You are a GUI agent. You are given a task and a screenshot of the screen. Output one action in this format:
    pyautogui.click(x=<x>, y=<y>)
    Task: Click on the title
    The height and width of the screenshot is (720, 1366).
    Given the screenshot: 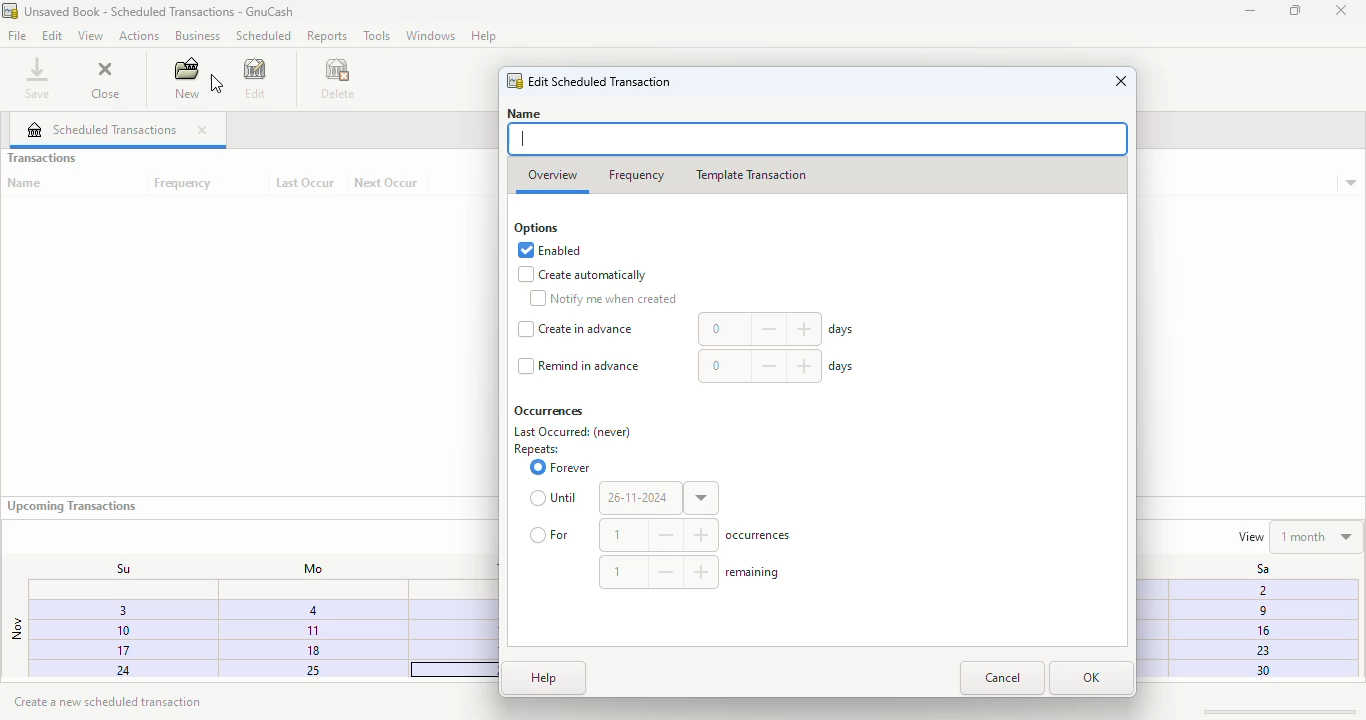 What is the action you would take?
    pyautogui.click(x=160, y=11)
    